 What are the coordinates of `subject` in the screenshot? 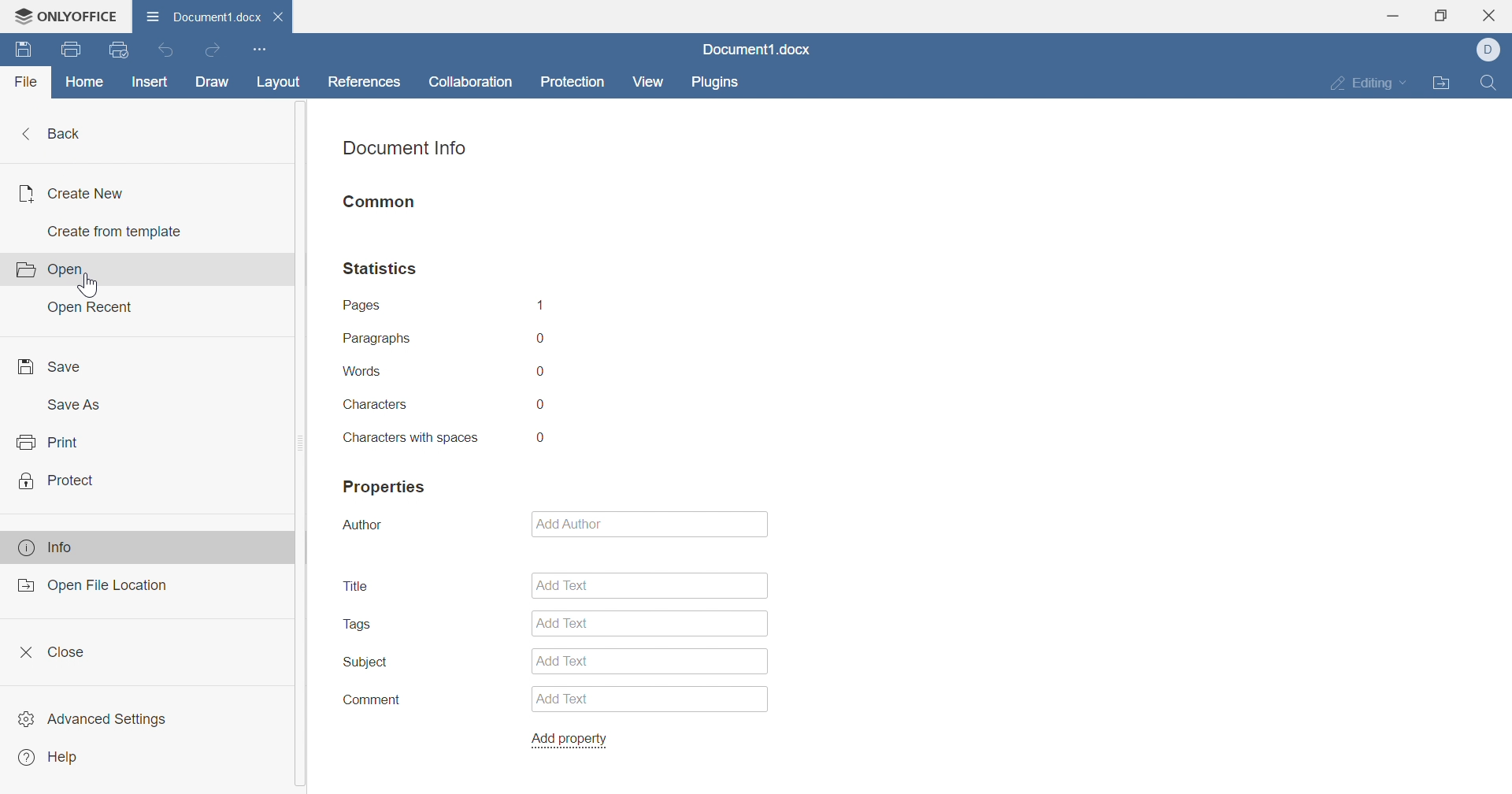 It's located at (367, 661).